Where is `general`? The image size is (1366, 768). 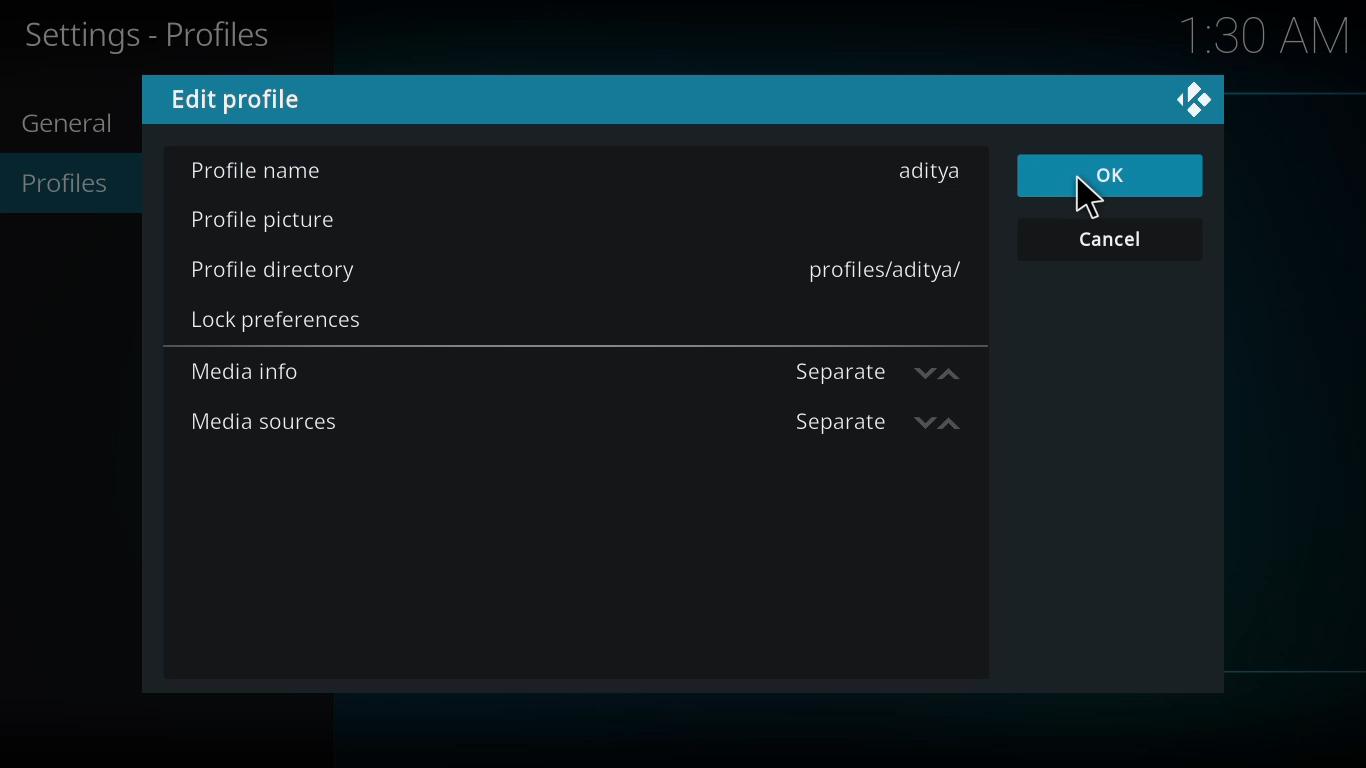
general is located at coordinates (78, 125).